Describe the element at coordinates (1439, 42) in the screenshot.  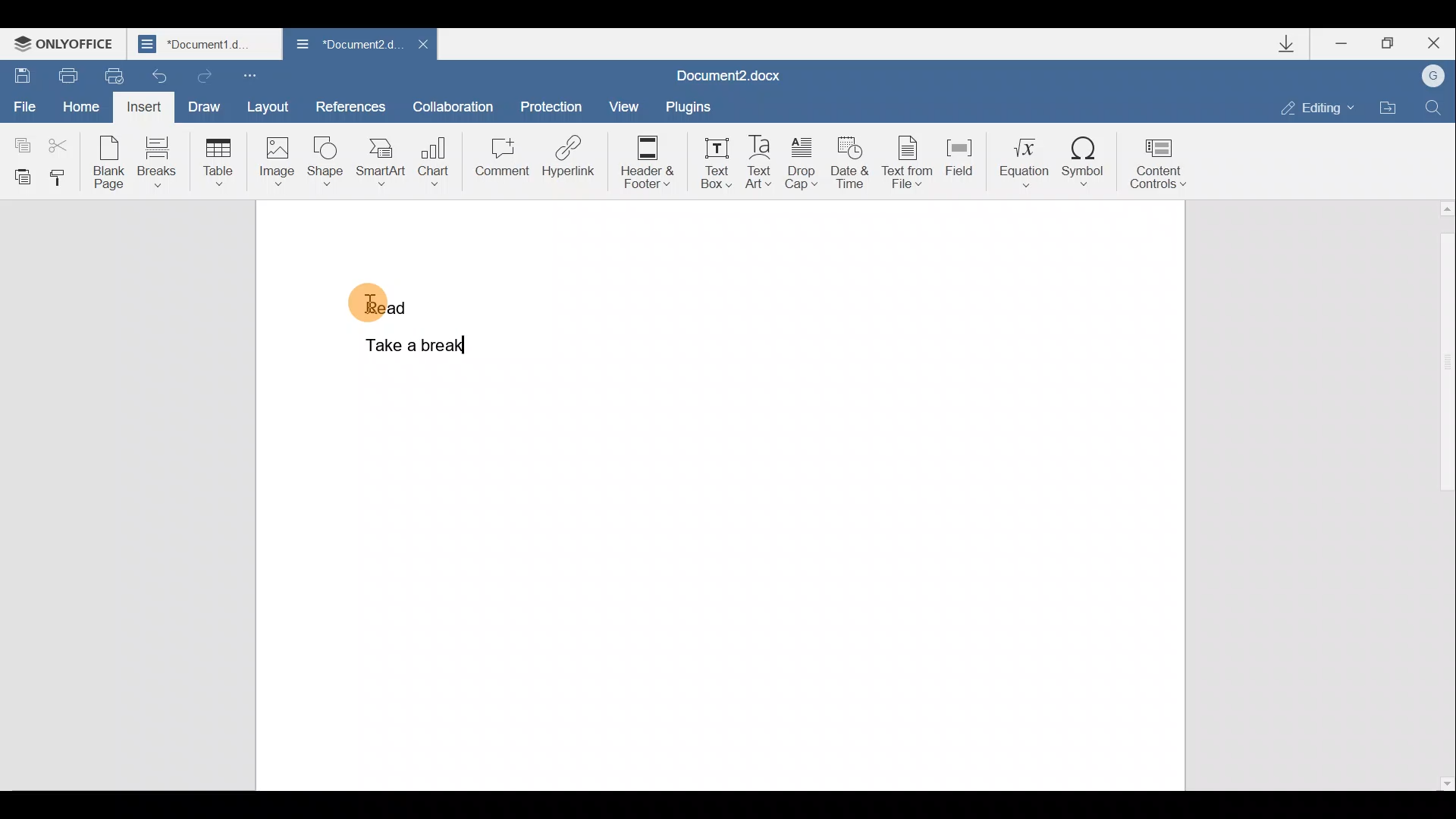
I see `Close` at that location.